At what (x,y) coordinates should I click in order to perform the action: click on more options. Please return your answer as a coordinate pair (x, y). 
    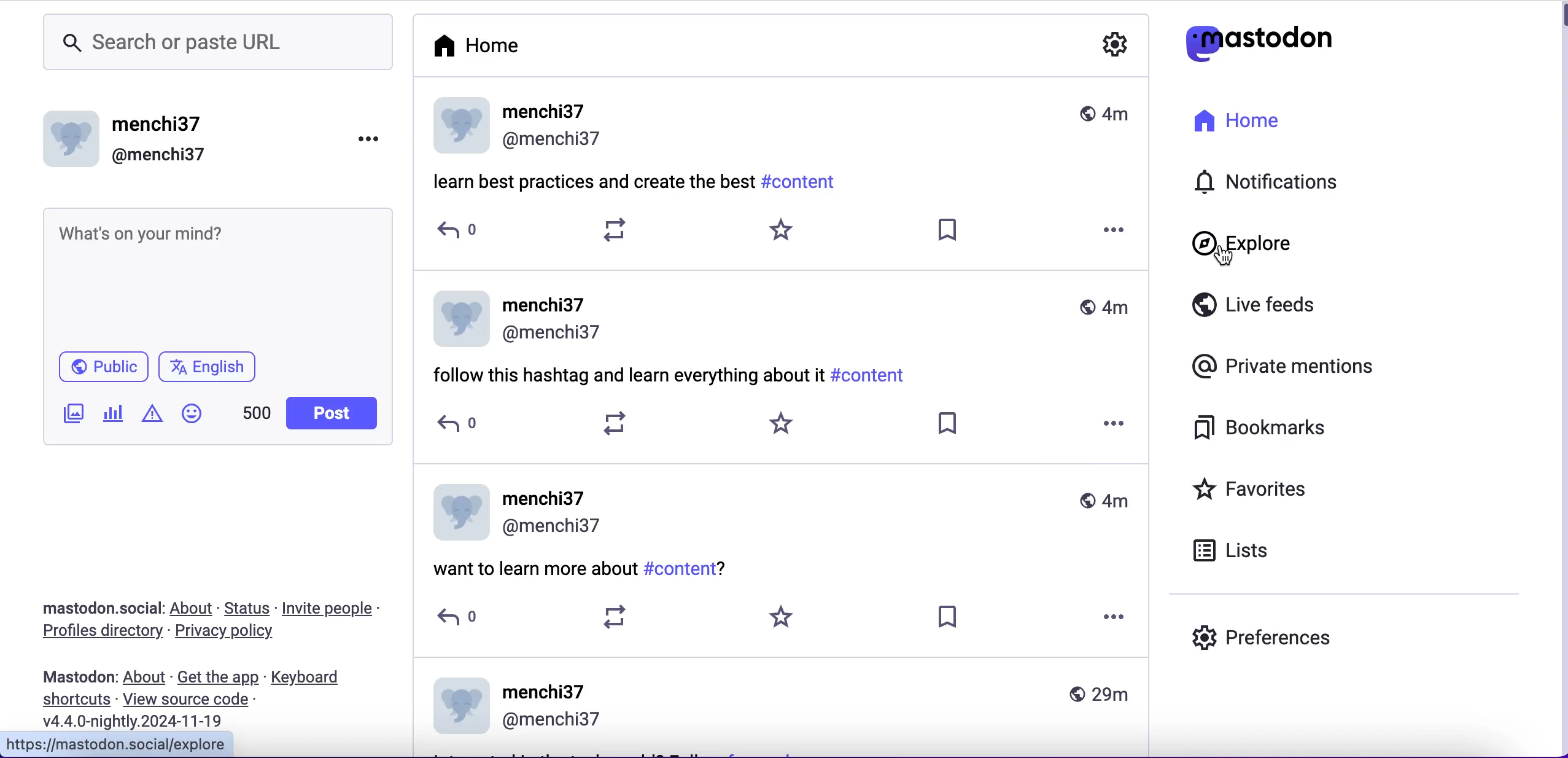
    Looking at the image, I should click on (1119, 422).